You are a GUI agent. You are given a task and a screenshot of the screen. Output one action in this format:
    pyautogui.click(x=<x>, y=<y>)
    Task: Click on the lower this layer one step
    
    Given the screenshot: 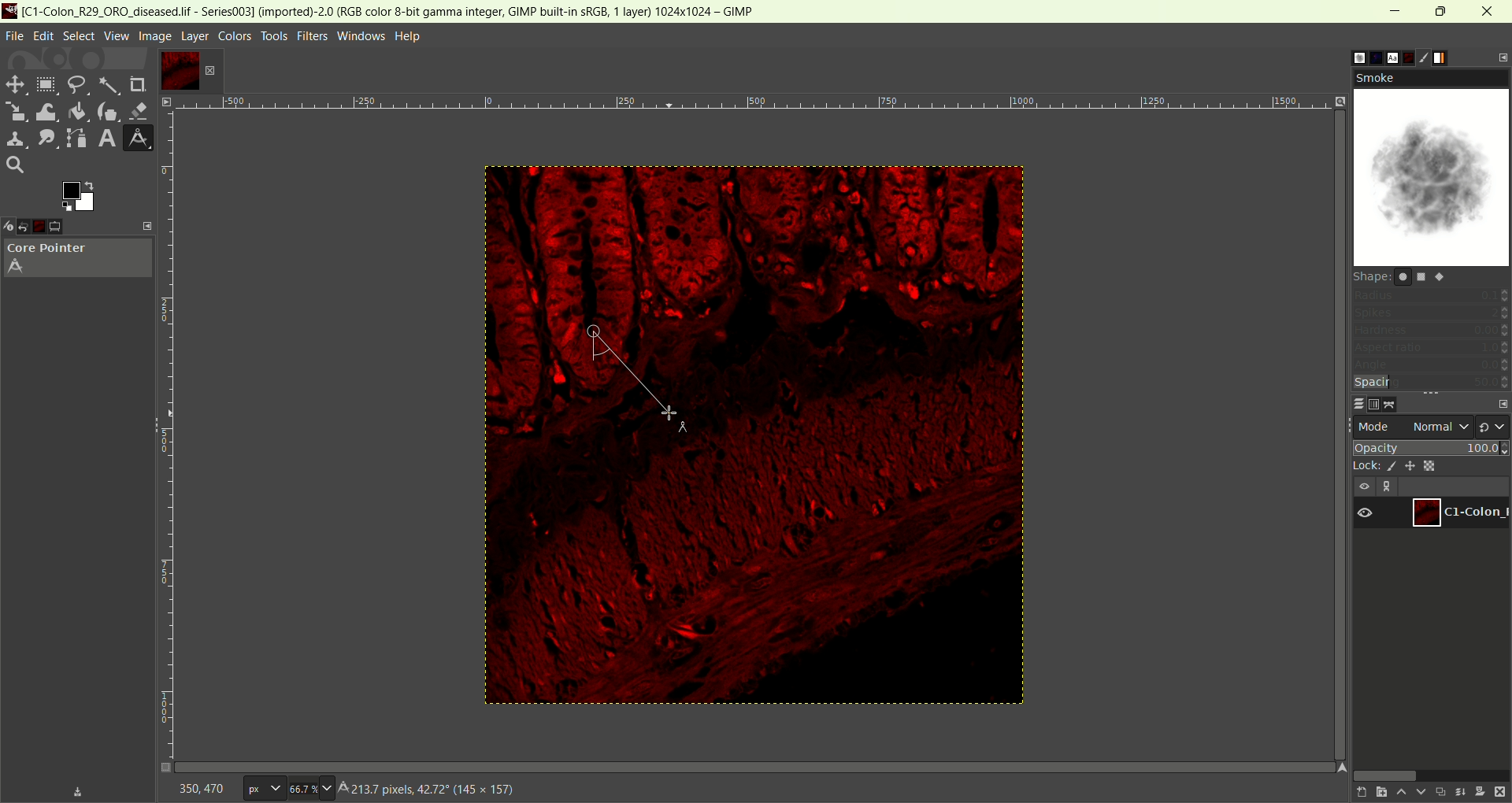 What is the action you would take?
    pyautogui.click(x=1421, y=793)
    